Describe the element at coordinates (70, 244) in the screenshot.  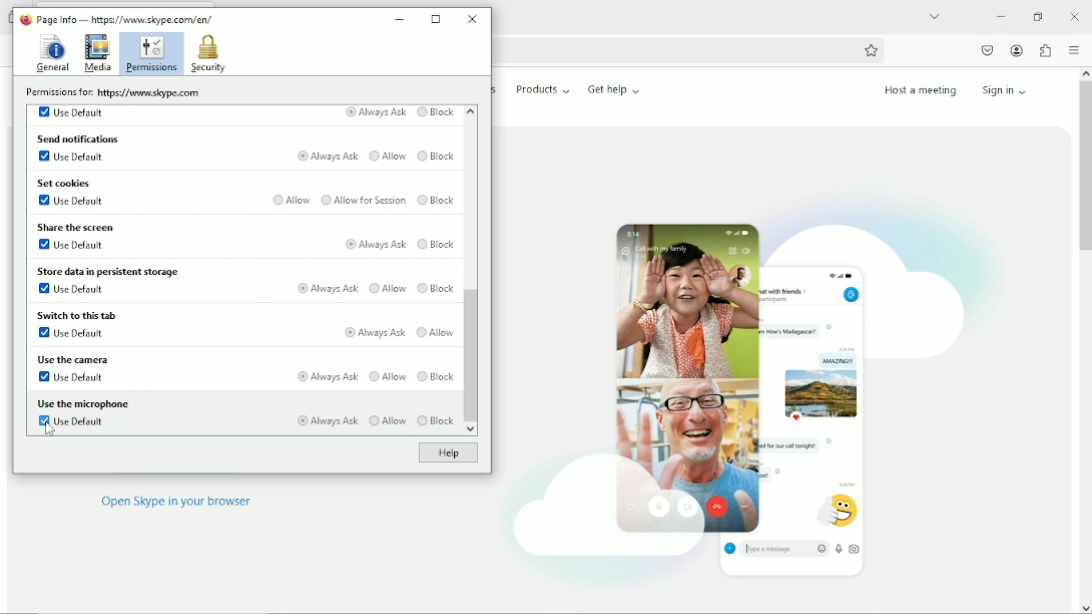
I see `Use default` at that location.